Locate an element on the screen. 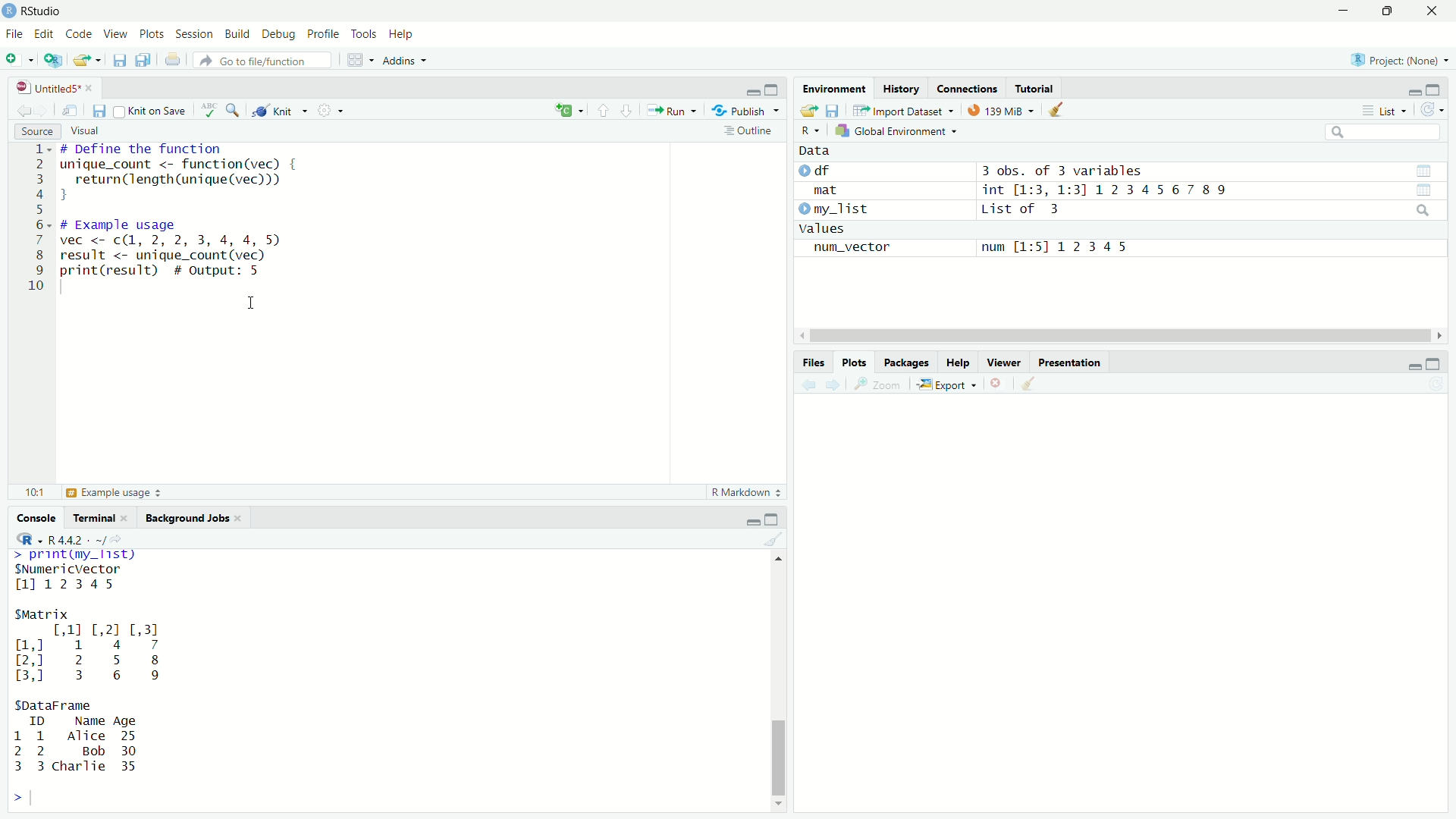 This screenshot has height=819, width=1456. clear current plot is located at coordinates (998, 384).